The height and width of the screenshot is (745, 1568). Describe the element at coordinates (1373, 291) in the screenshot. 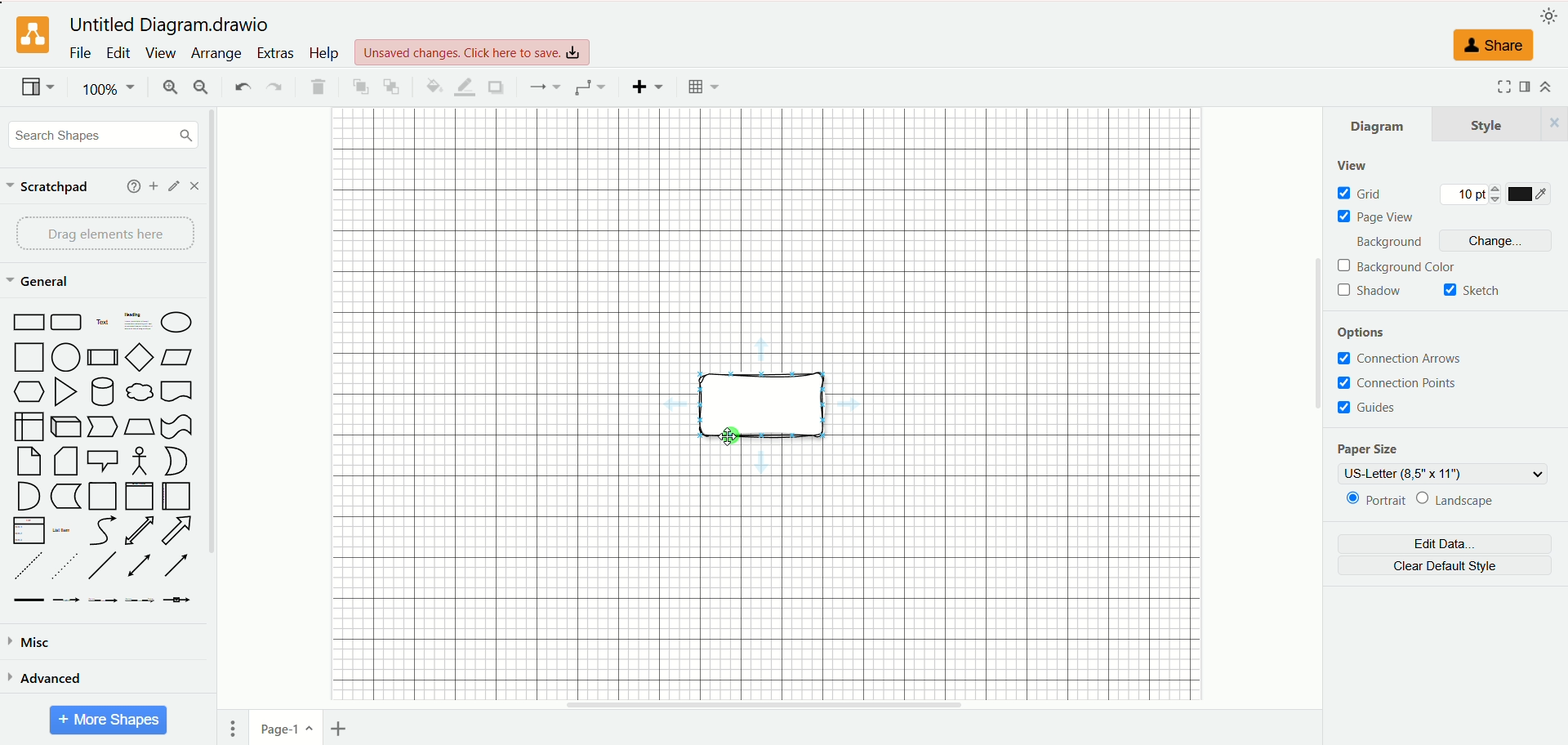

I see `shadow` at that location.